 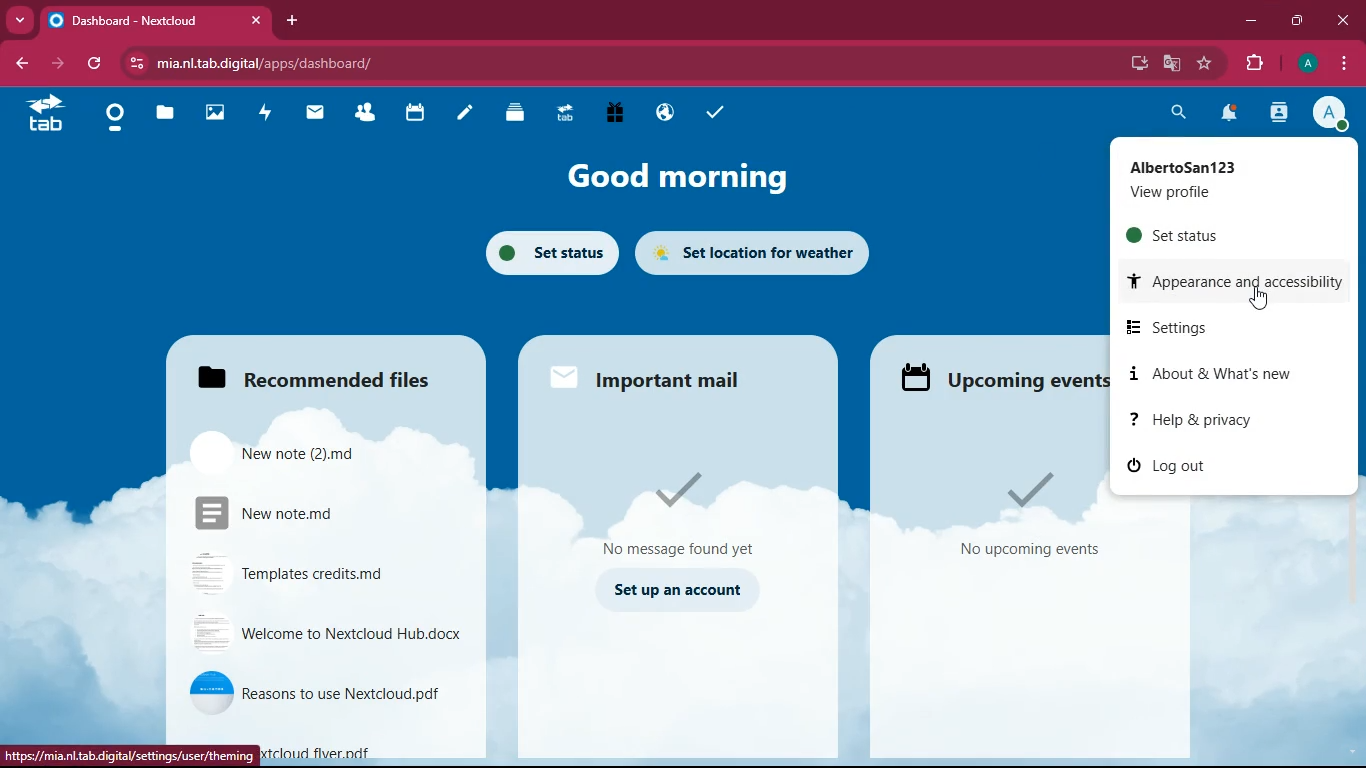 What do you see at coordinates (22, 21) in the screenshot?
I see `more` at bounding box center [22, 21].